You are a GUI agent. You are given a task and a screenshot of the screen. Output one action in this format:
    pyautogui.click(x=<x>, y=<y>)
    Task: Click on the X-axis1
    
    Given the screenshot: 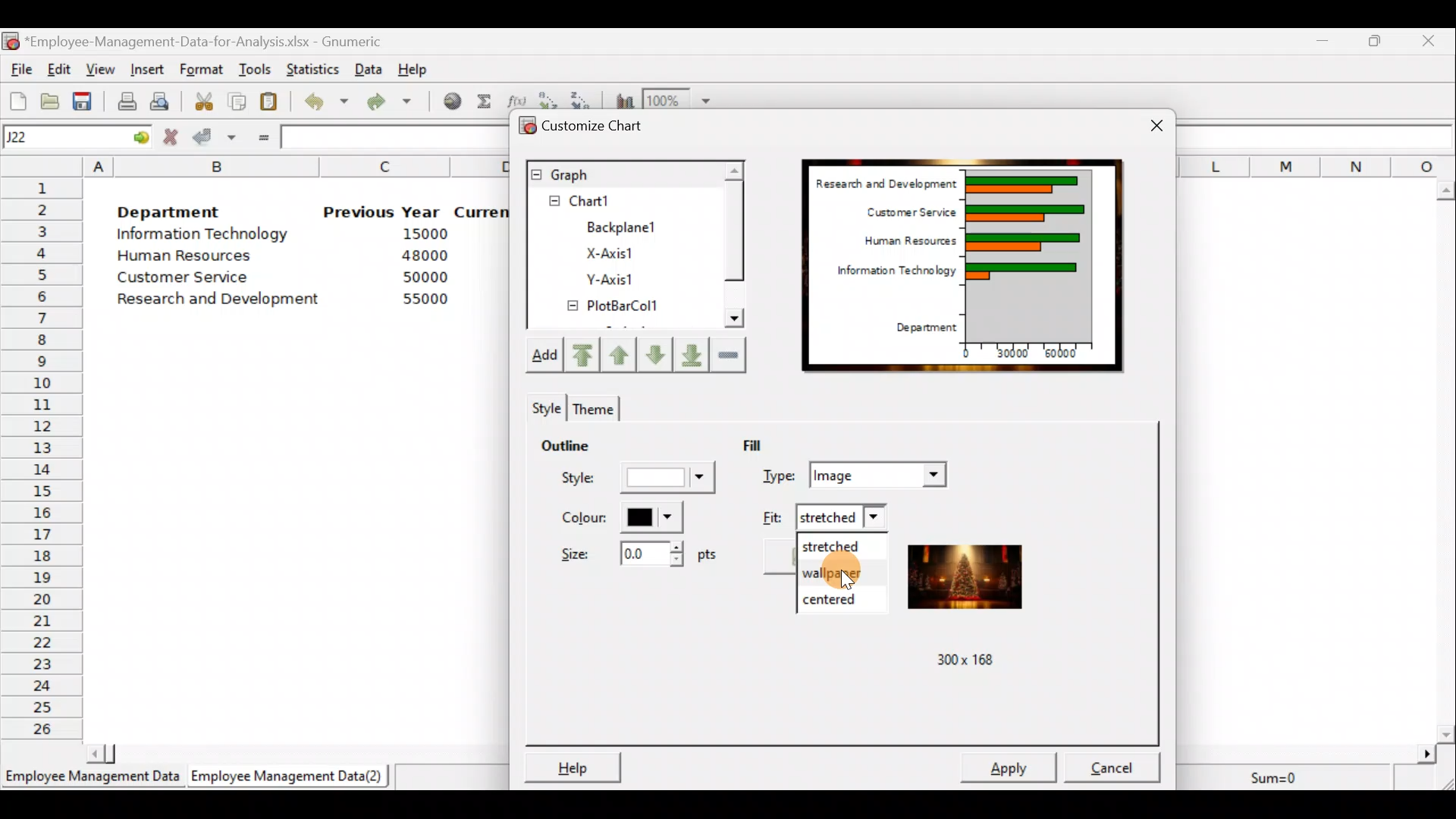 What is the action you would take?
    pyautogui.click(x=620, y=251)
    